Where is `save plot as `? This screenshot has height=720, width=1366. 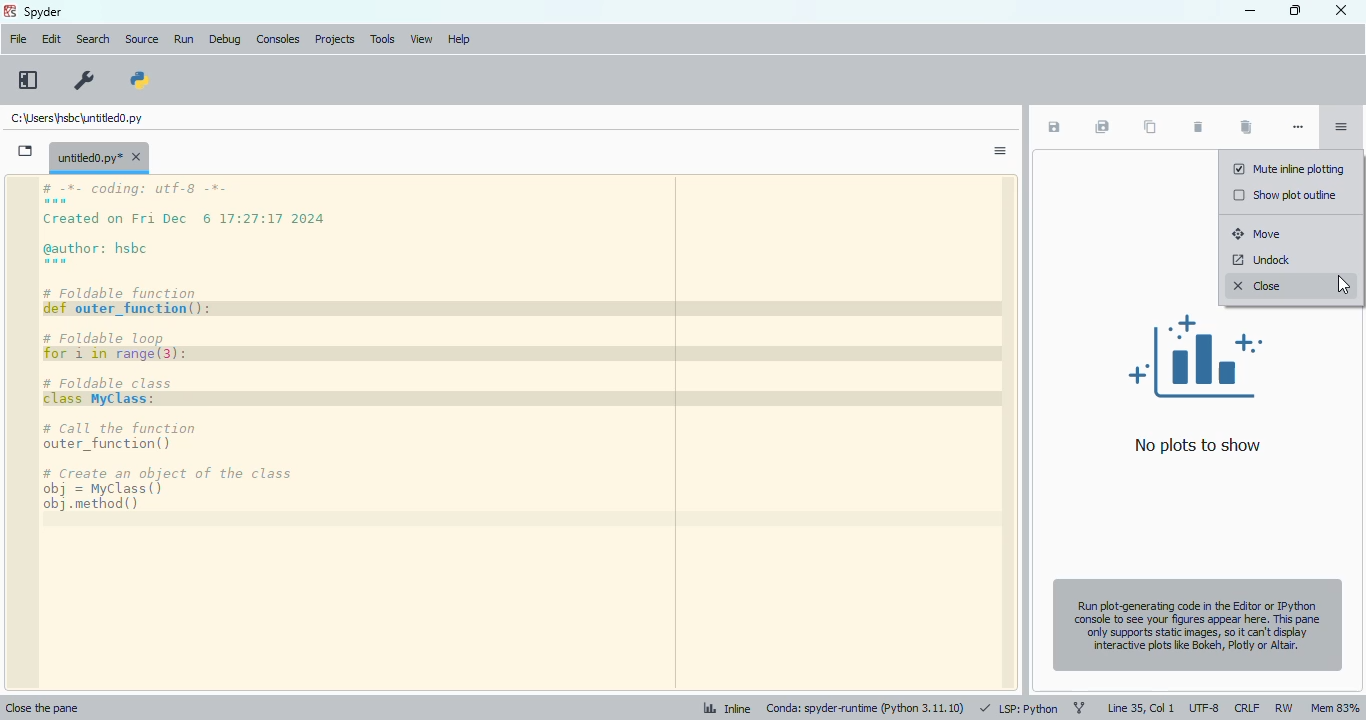
save plot as  is located at coordinates (1054, 127).